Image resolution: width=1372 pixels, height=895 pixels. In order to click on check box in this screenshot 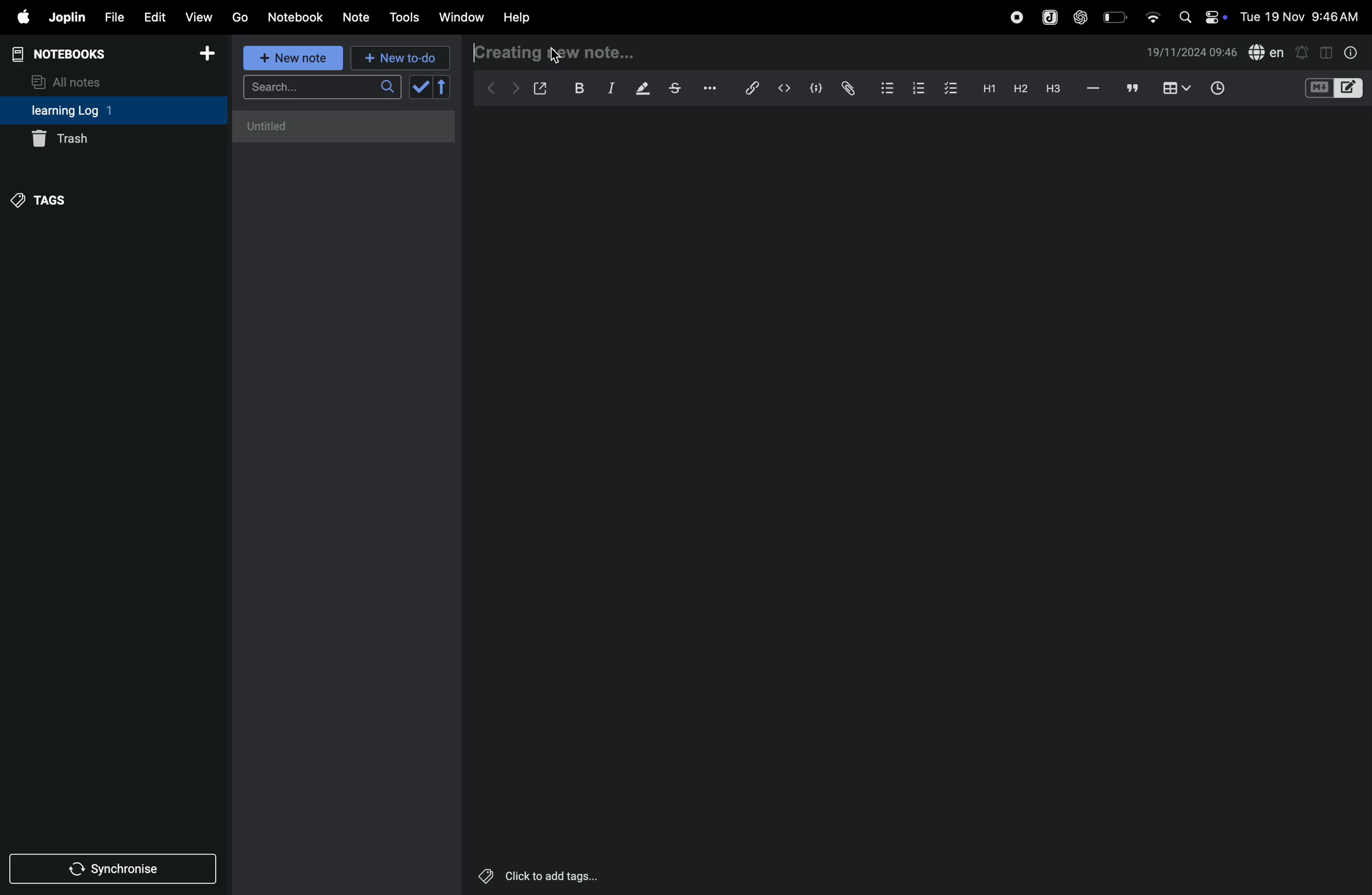, I will do `click(432, 87)`.